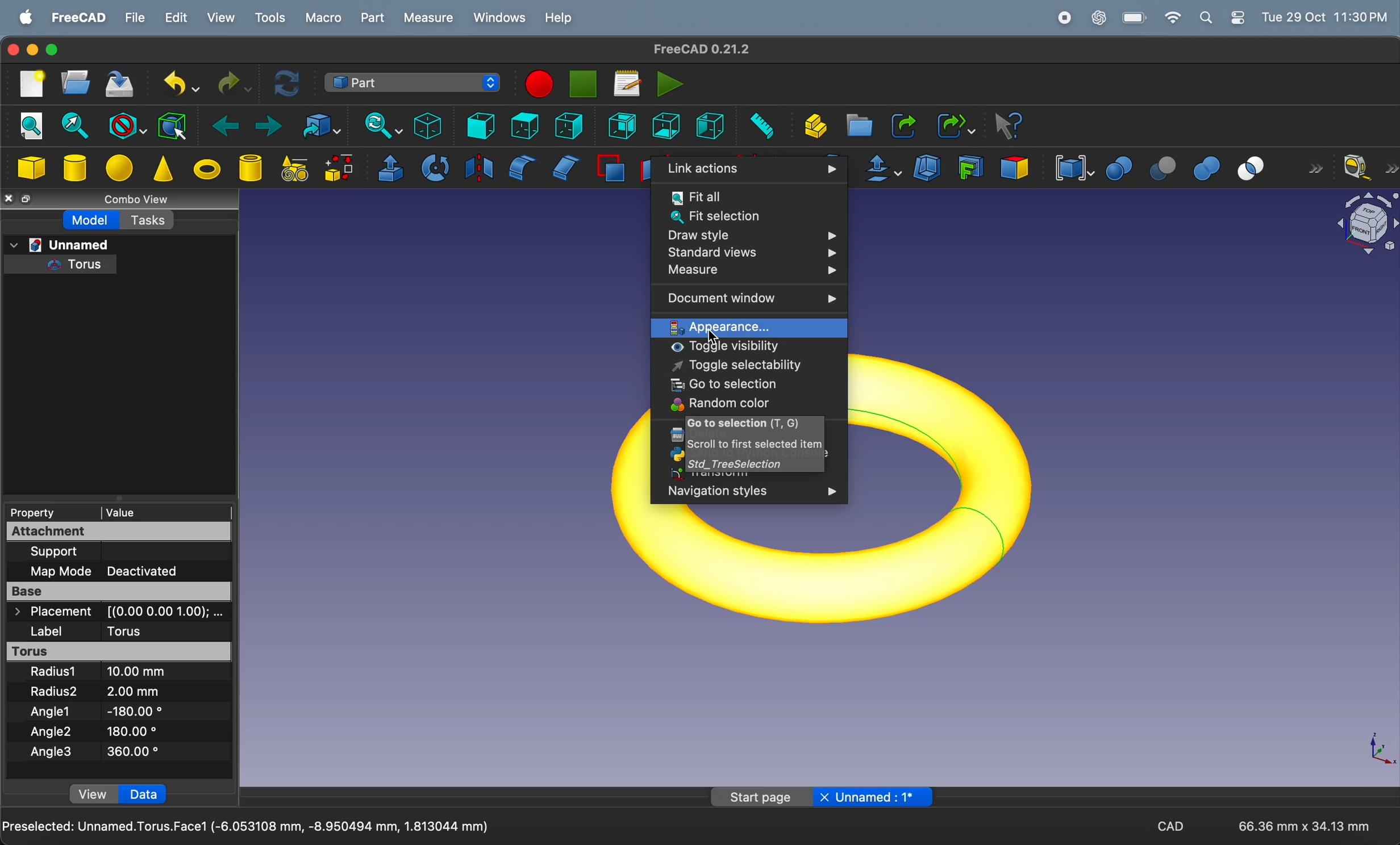  Describe the element at coordinates (1305, 826) in the screenshot. I see `66.36 mm * 34.13 mm` at that location.